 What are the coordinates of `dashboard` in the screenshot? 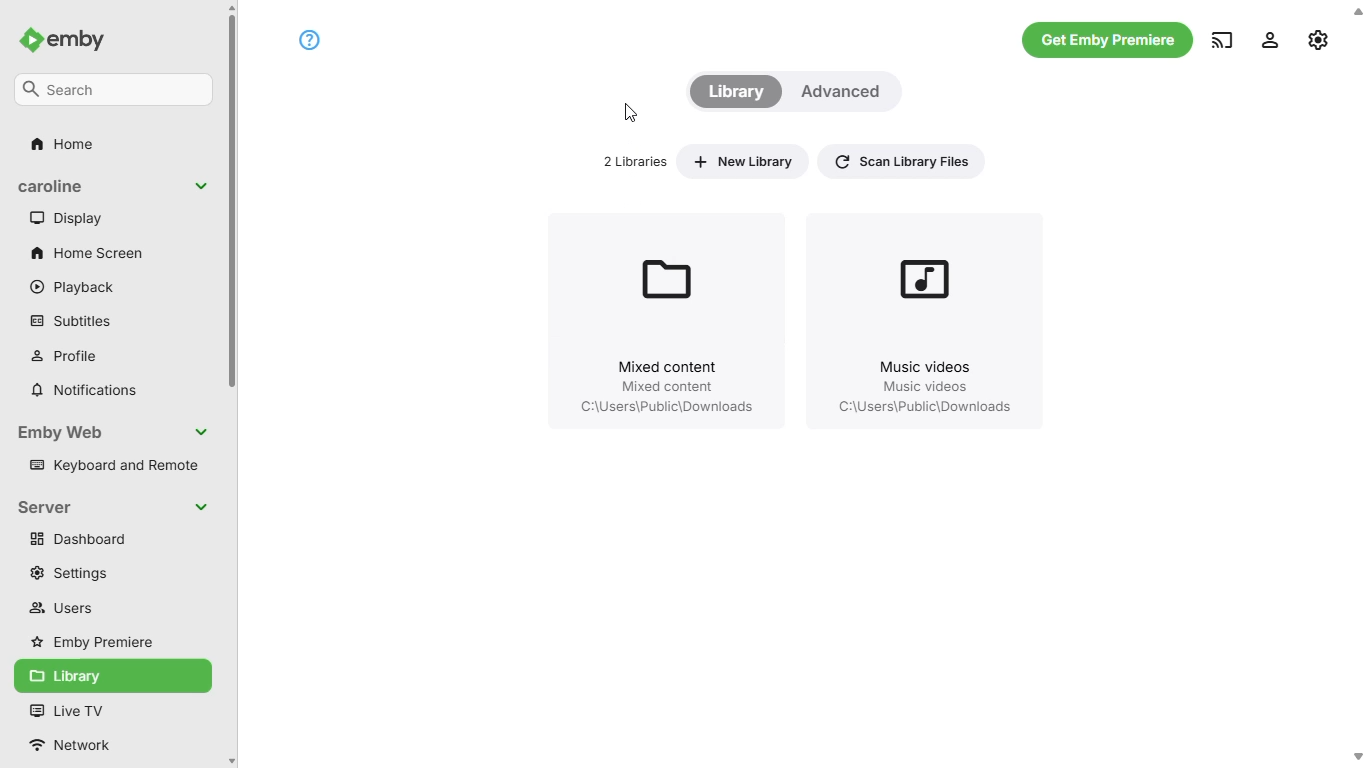 It's located at (112, 539).